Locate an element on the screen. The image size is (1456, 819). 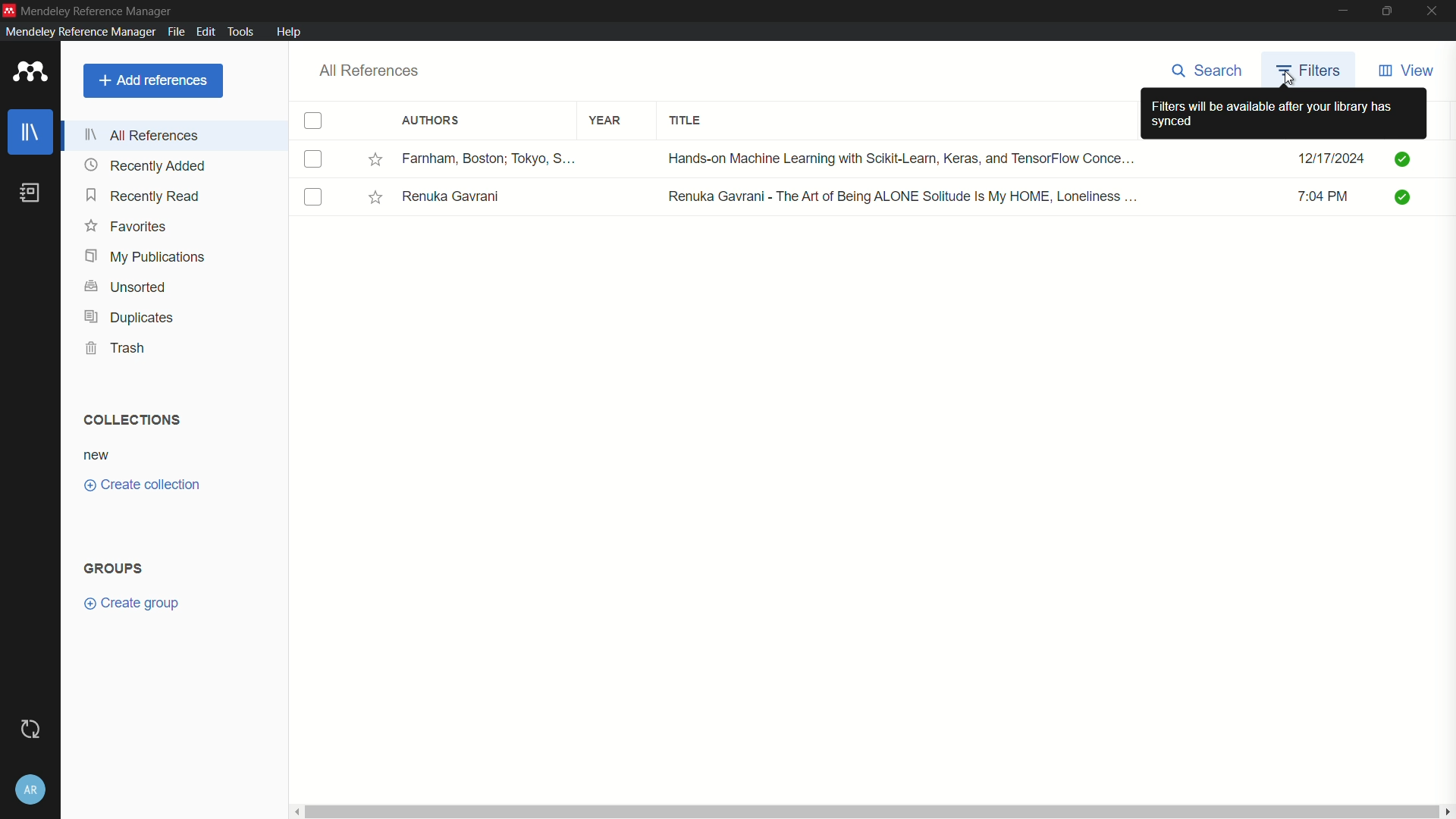
new is located at coordinates (97, 457).